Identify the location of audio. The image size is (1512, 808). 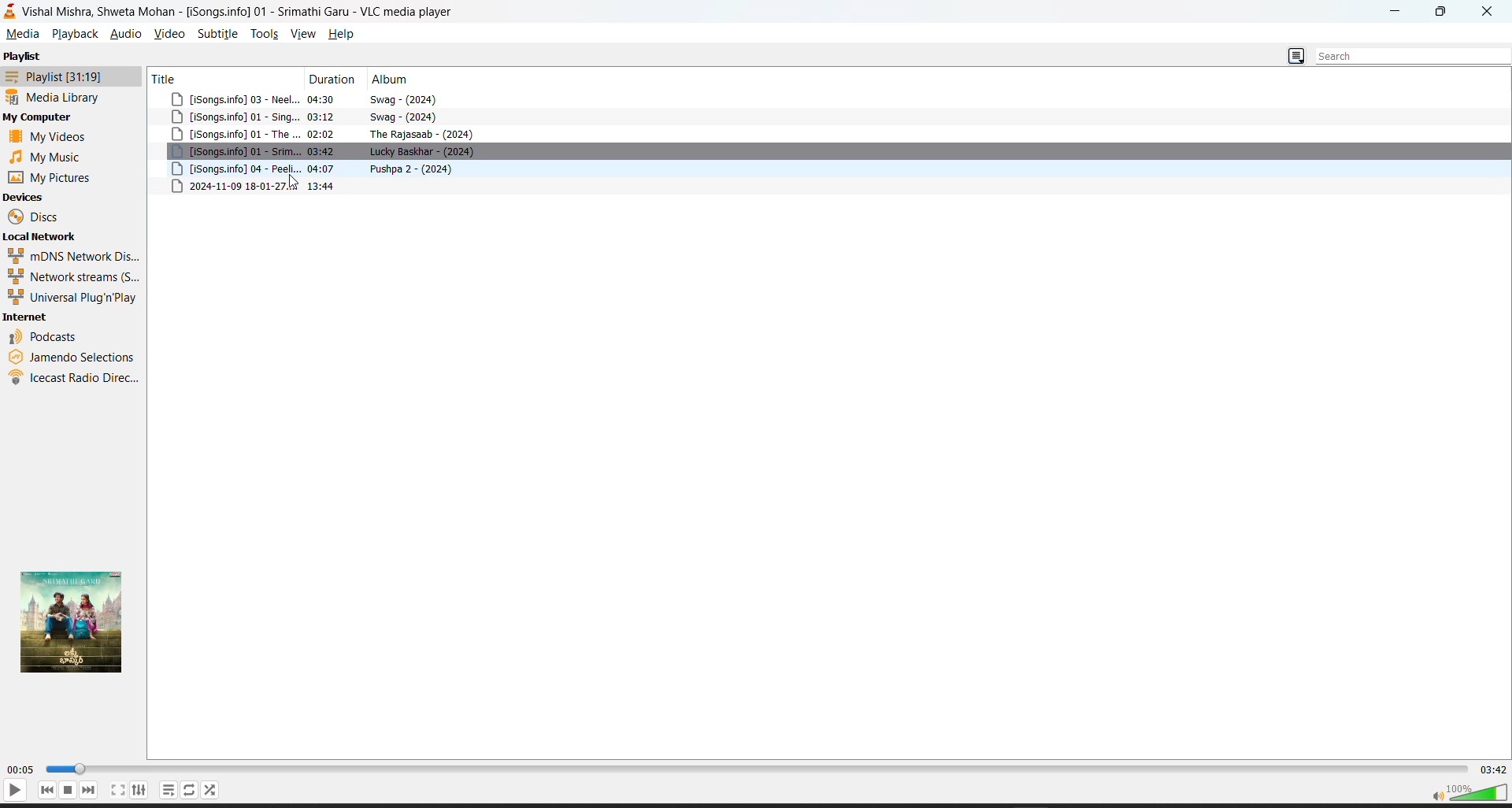
(127, 32).